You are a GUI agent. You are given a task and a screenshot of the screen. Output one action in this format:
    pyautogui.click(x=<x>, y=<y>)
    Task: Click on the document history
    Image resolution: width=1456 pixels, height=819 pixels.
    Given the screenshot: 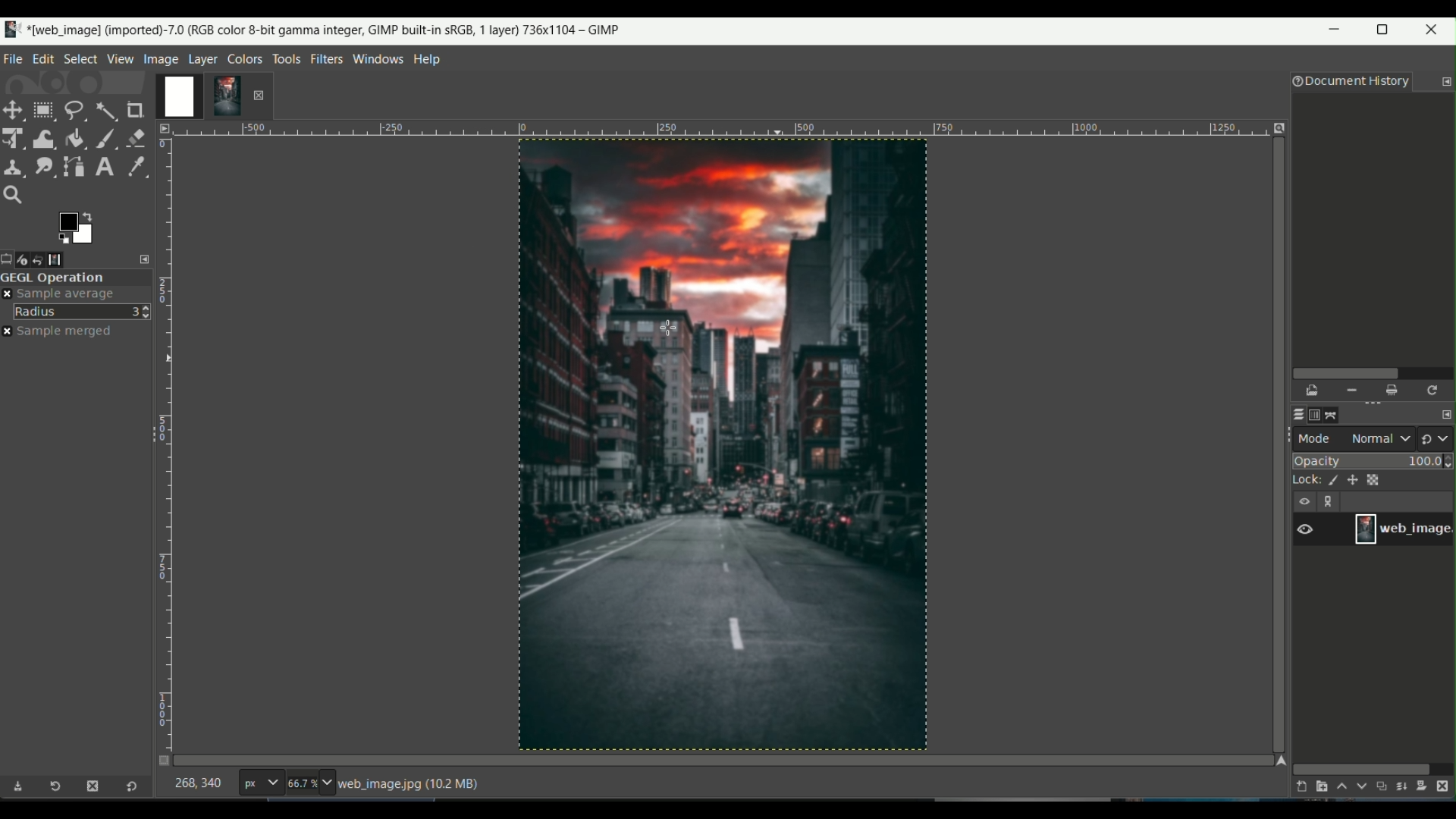 What is the action you would take?
    pyautogui.click(x=1348, y=83)
    